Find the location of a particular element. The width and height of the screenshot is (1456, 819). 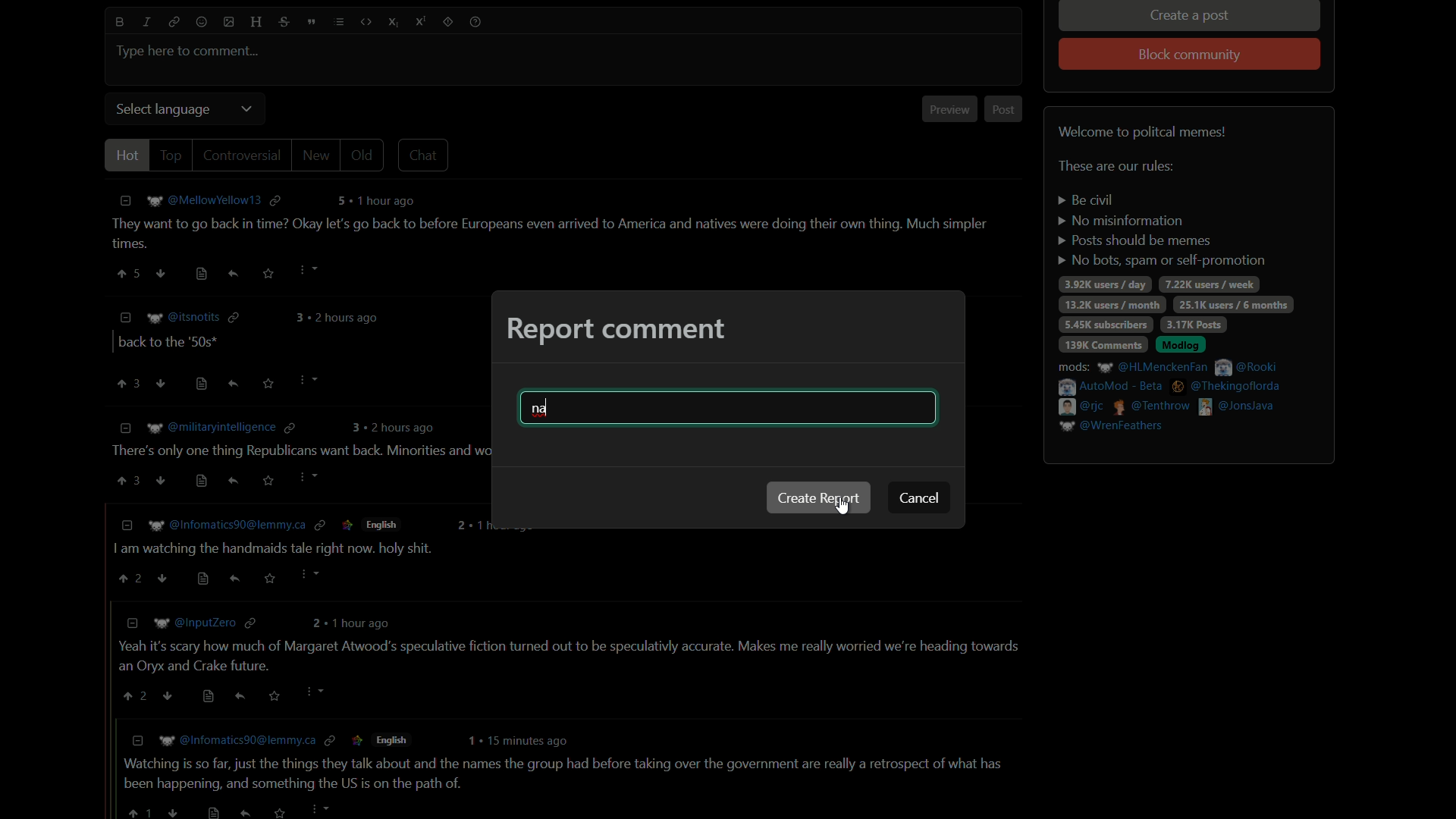

spoiler is located at coordinates (448, 22).